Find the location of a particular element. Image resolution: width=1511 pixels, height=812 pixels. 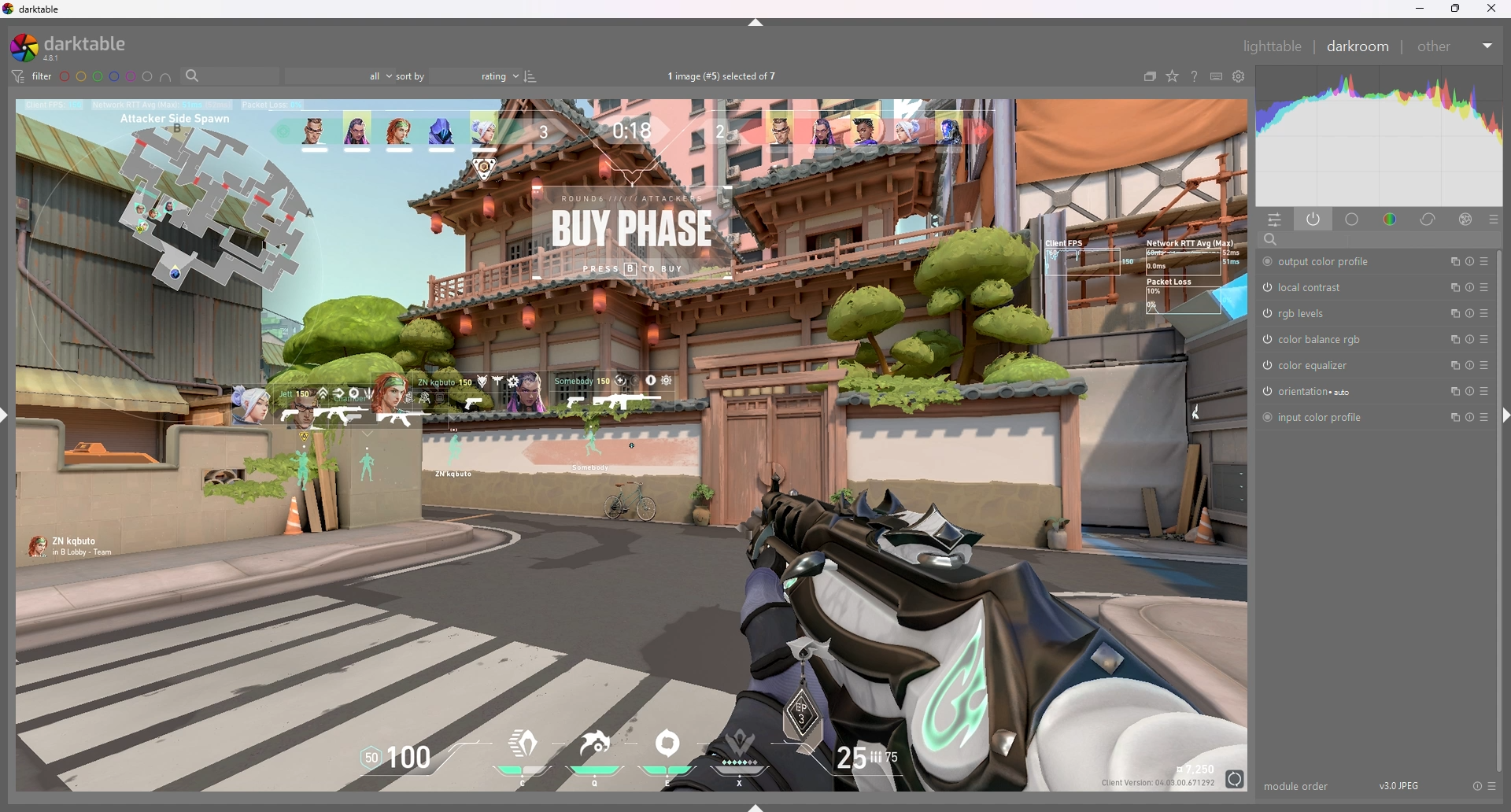

presets is located at coordinates (1485, 339).